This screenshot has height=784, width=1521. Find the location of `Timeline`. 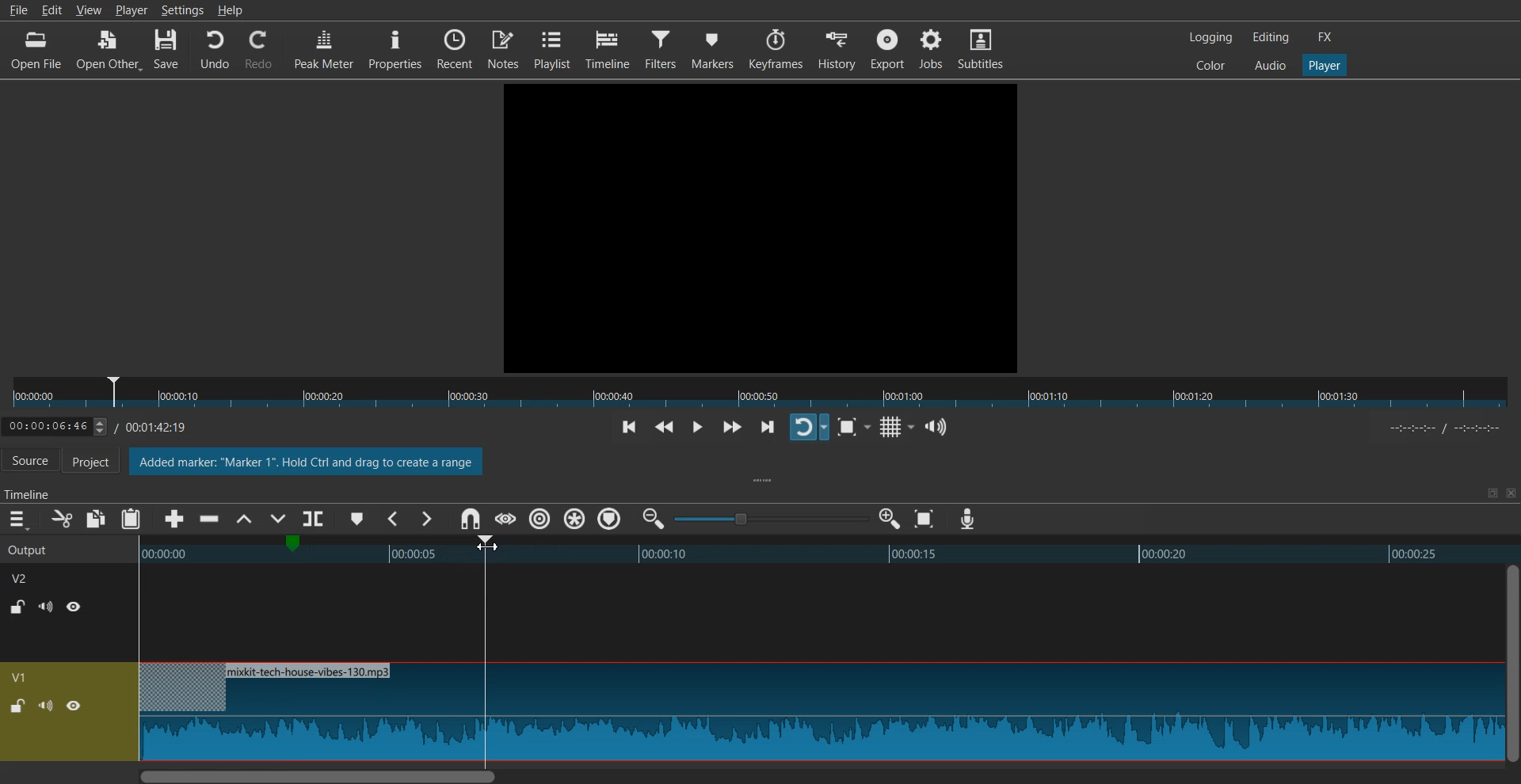

Timeline is located at coordinates (108, 424).